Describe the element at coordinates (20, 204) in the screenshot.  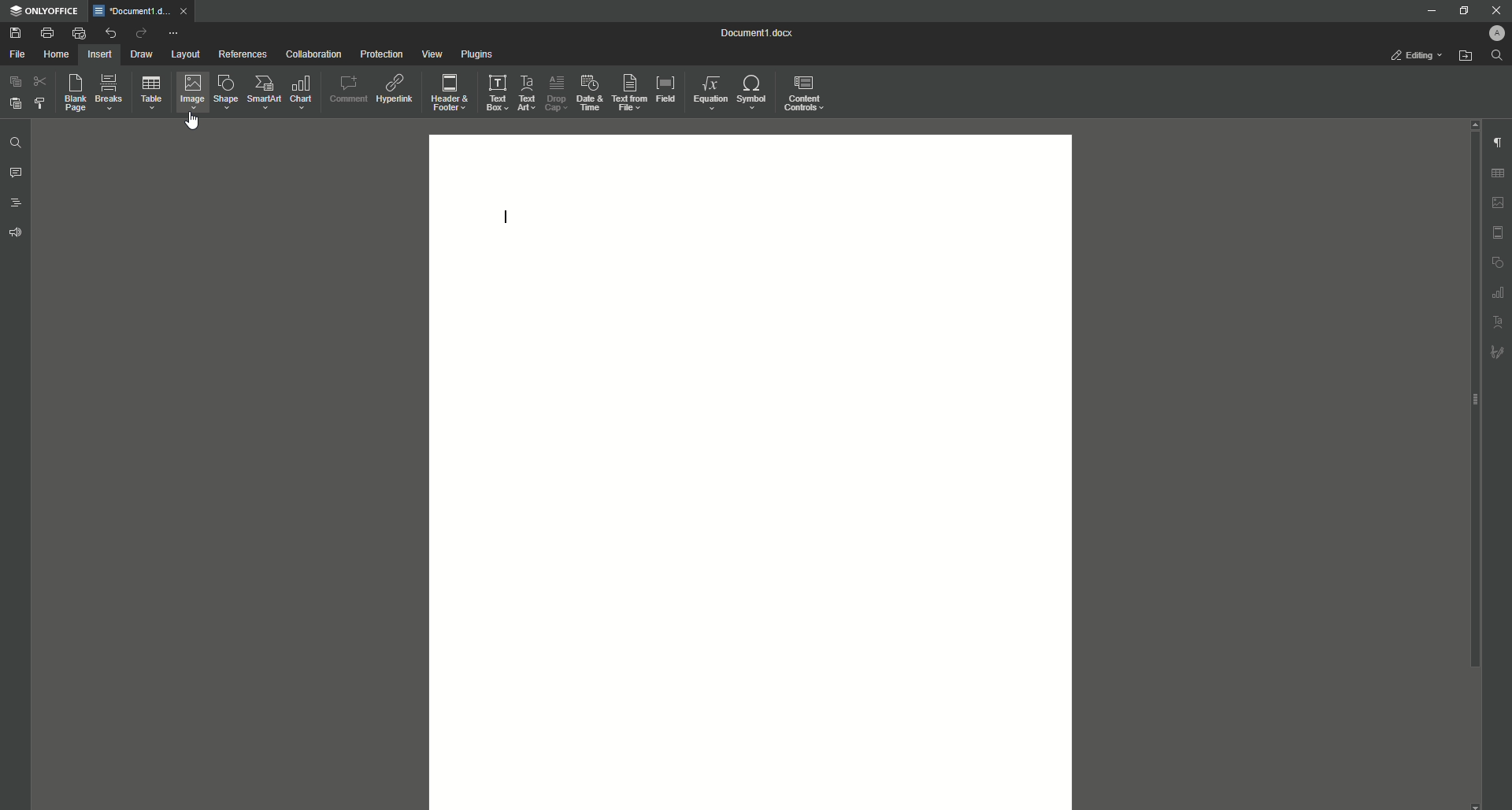
I see `Headings` at that location.